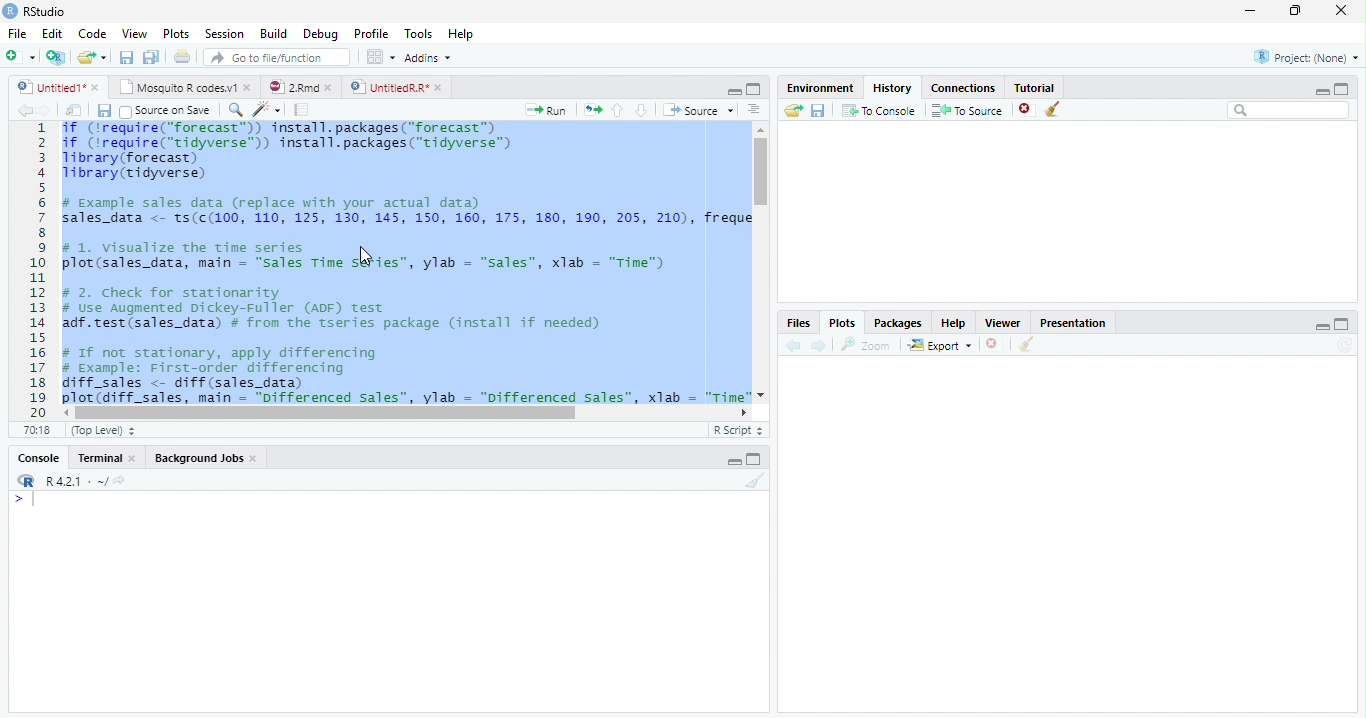 The width and height of the screenshot is (1366, 718). Describe the element at coordinates (152, 57) in the screenshot. I see `Save all open files` at that location.